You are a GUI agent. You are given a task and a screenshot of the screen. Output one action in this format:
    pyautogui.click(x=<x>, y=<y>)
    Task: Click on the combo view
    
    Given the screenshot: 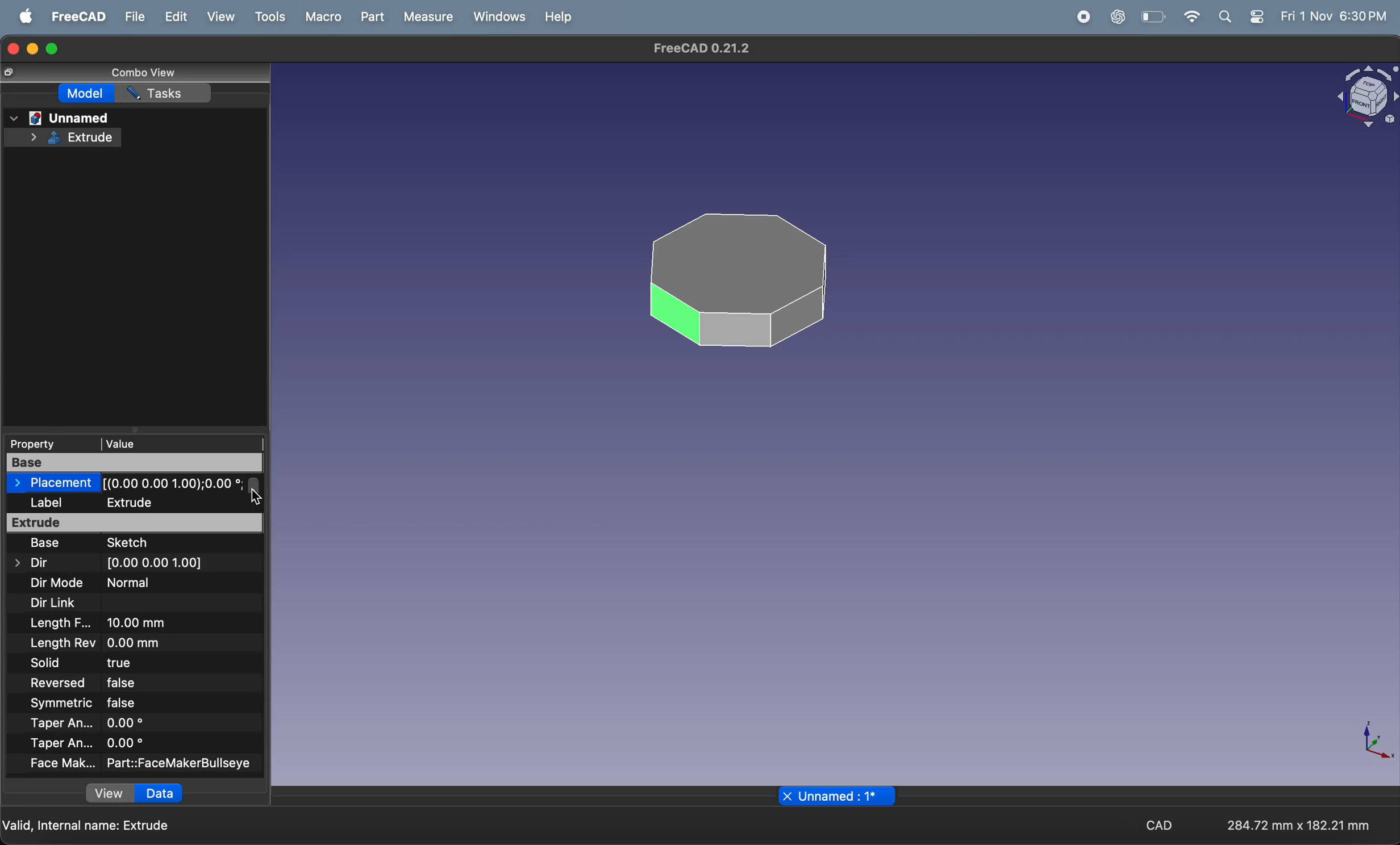 What is the action you would take?
    pyautogui.click(x=140, y=72)
    